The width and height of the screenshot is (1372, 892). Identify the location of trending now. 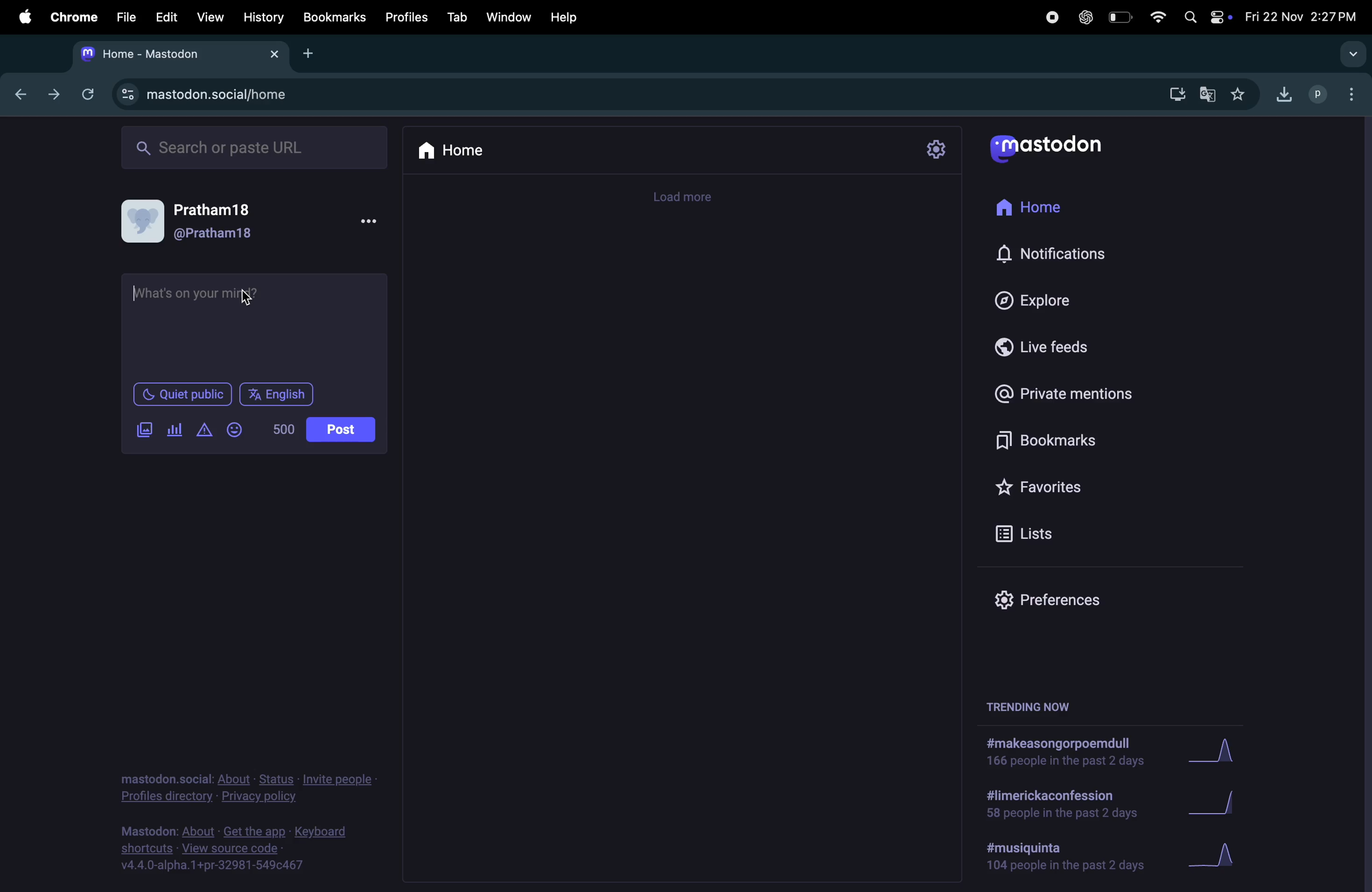
(1041, 704).